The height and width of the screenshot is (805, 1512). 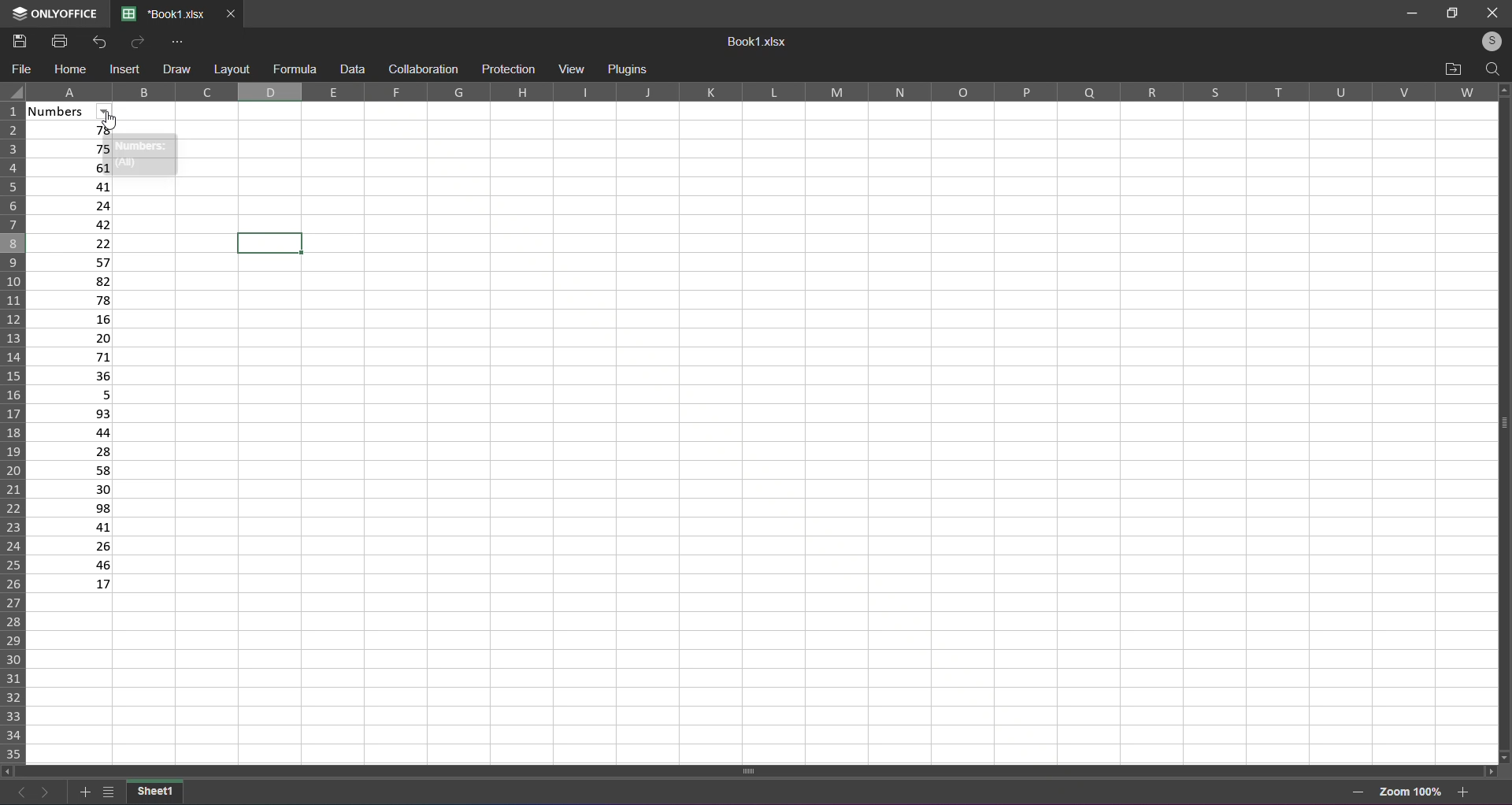 What do you see at coordinates (73, 203) in the screenshot?
I see `24` at bounding box center [73, 203].